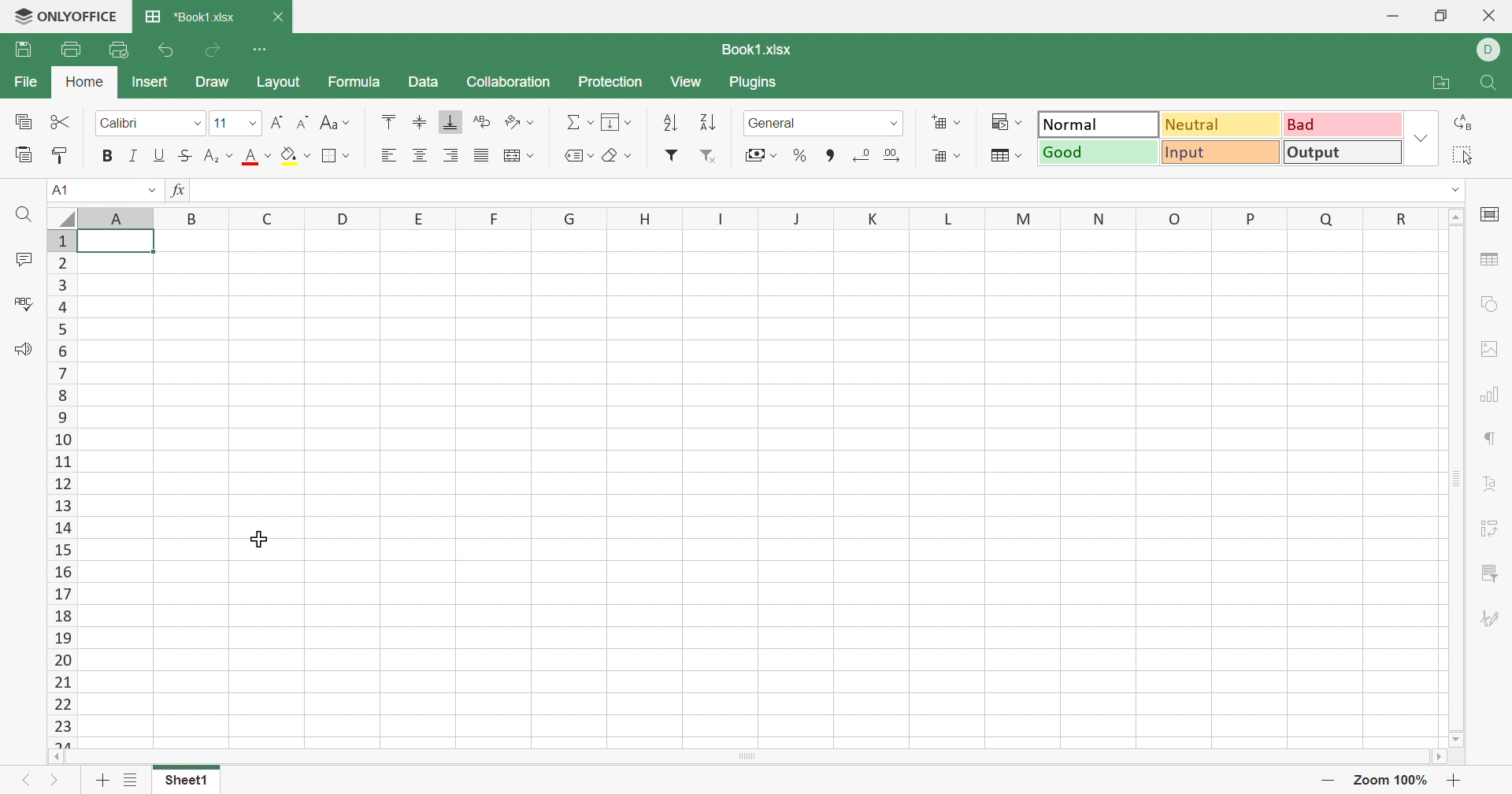 This screenshot has height=794, width=1512. I want to click on fx, so click(180, 191).